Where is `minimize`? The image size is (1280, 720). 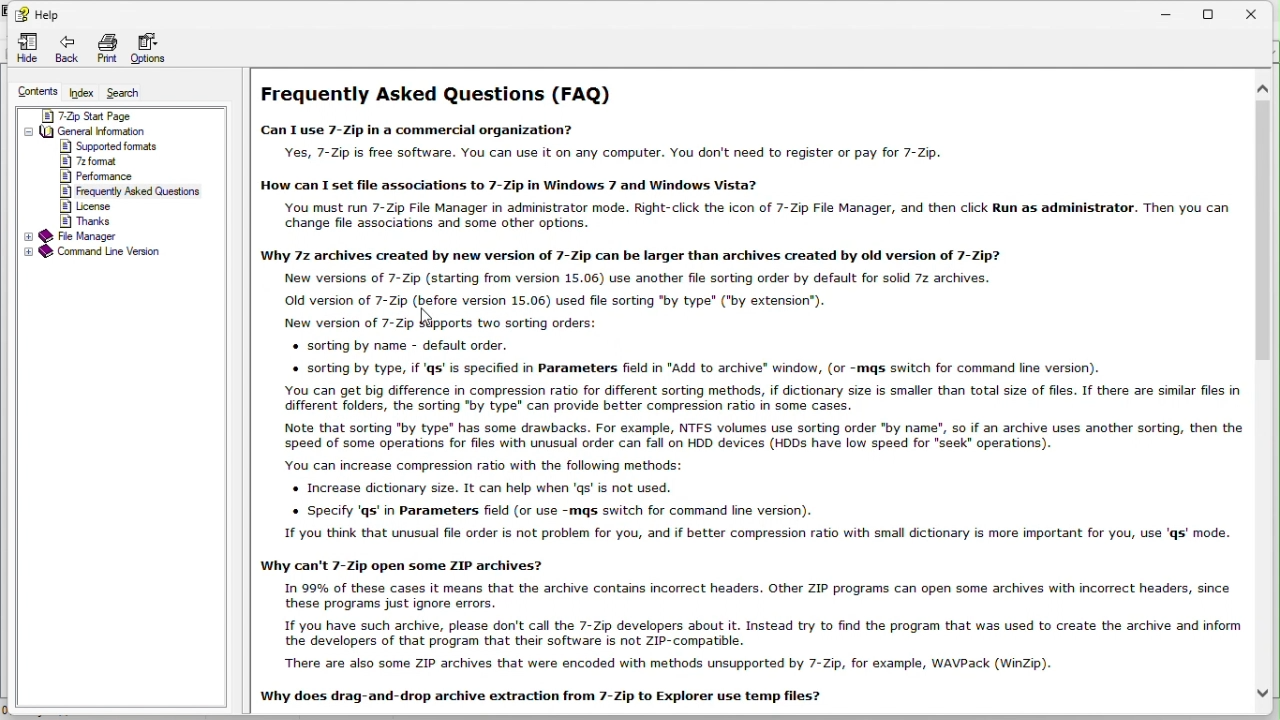 minimize is located at coordinates (1167, 11).